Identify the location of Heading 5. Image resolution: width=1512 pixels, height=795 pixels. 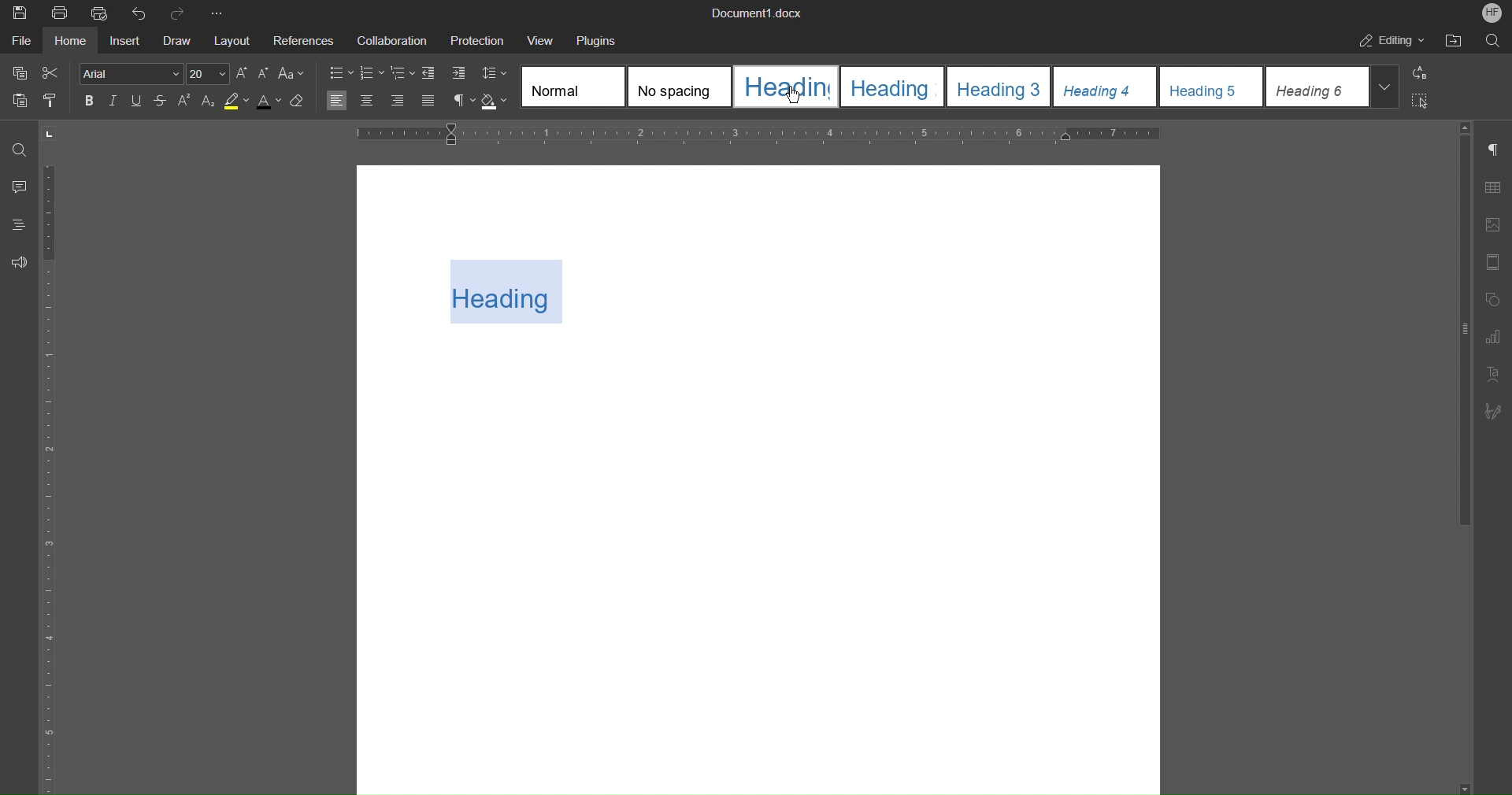
(1211, 87).